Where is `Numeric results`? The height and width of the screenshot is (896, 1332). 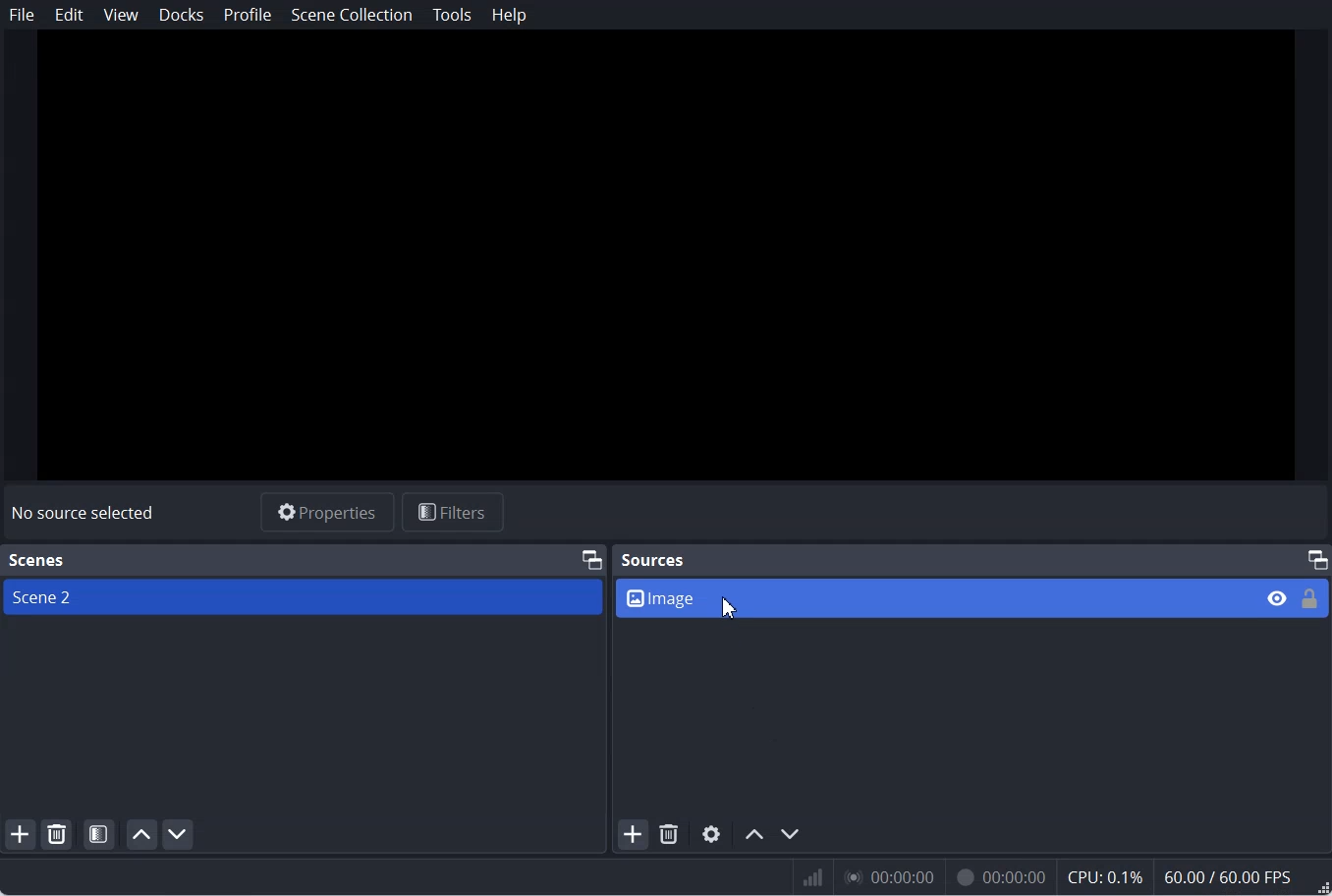 Numeric results is located at coordinates (1061, 876).